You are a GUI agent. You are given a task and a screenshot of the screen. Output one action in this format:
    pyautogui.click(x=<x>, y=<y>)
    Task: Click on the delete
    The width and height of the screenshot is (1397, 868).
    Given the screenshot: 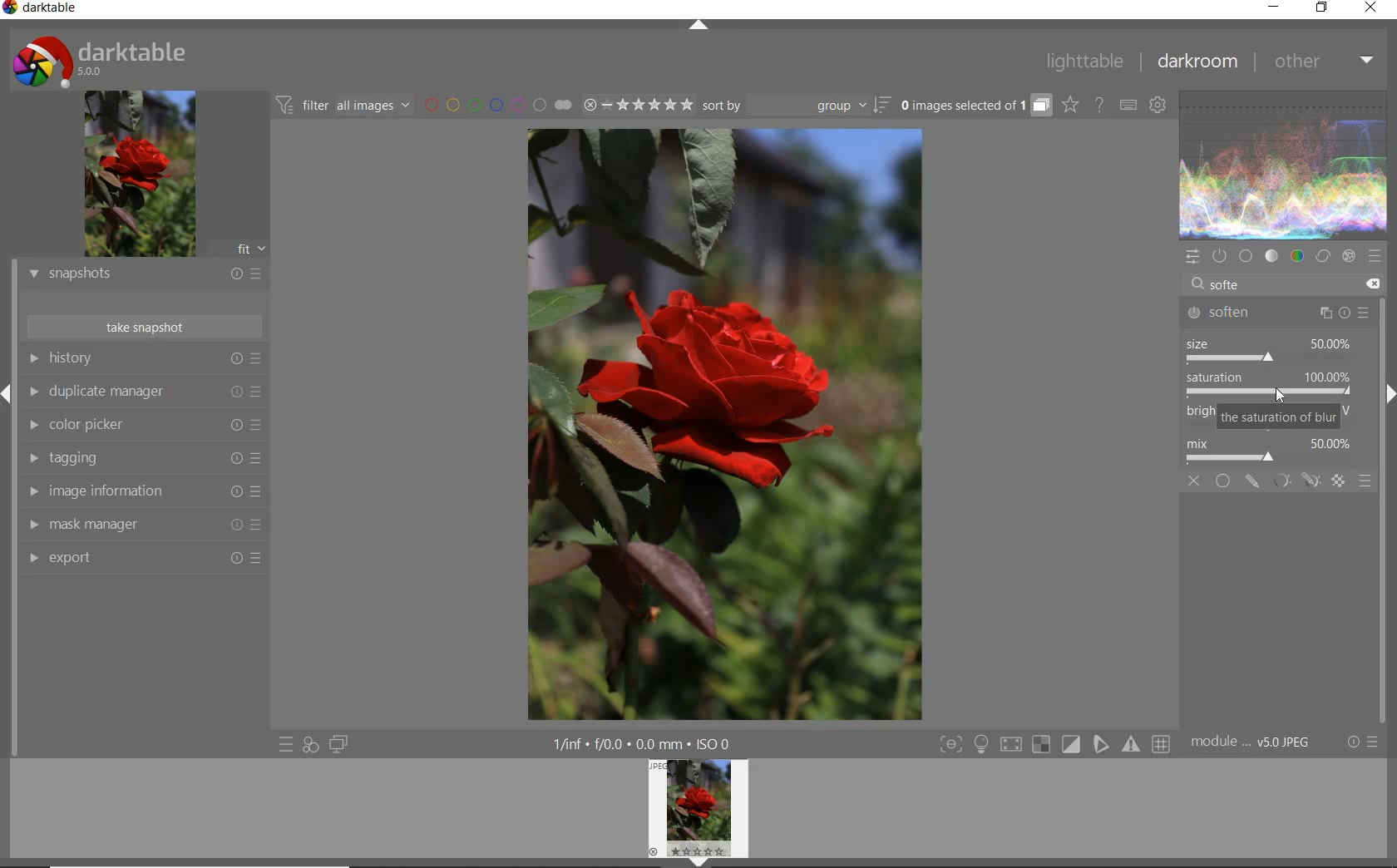 What is the action you would take?
    pyautogui.click(x=1374, y=284)
    